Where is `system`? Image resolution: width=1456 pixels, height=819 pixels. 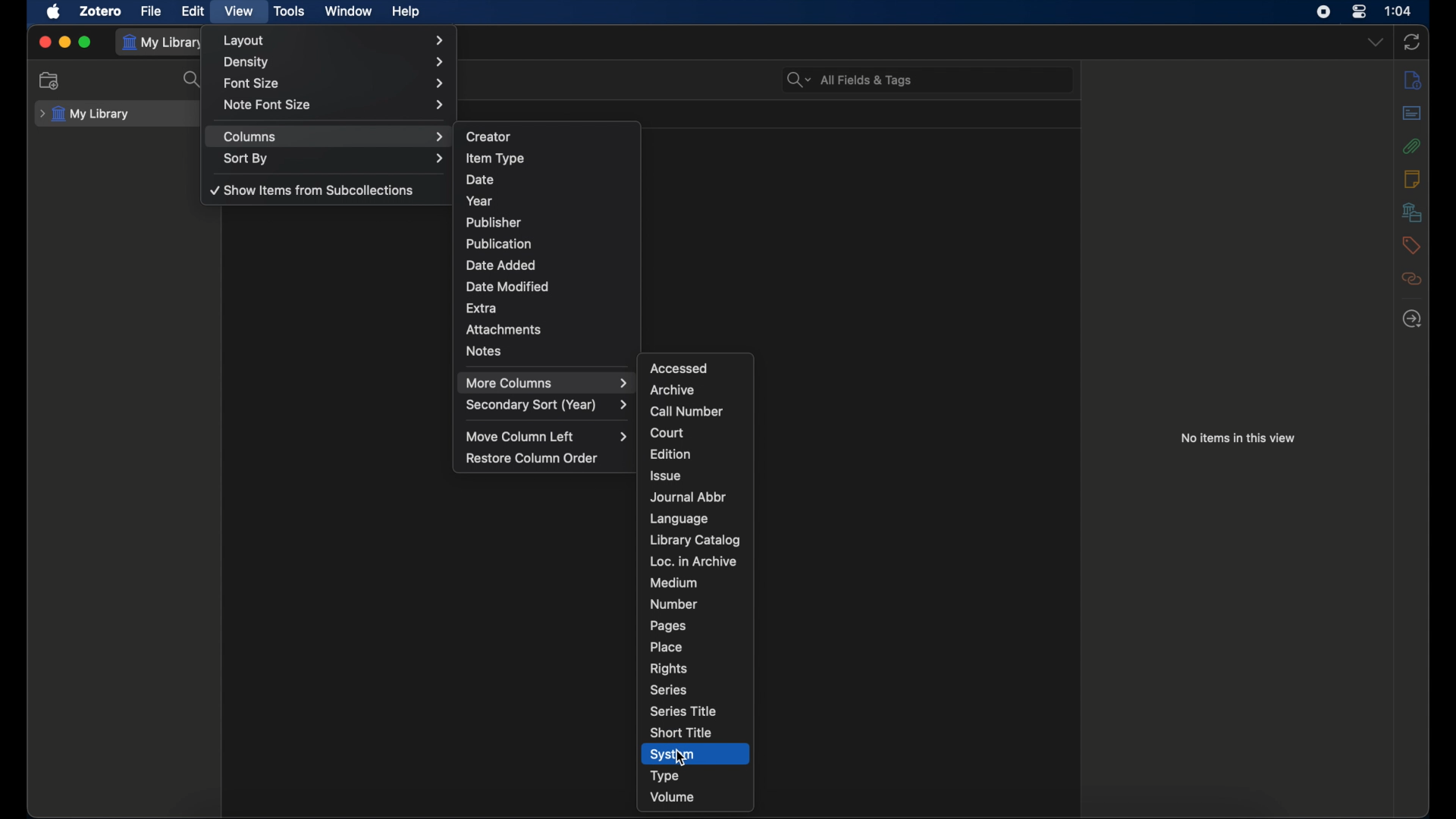
system is located at coordinates (673, 755).